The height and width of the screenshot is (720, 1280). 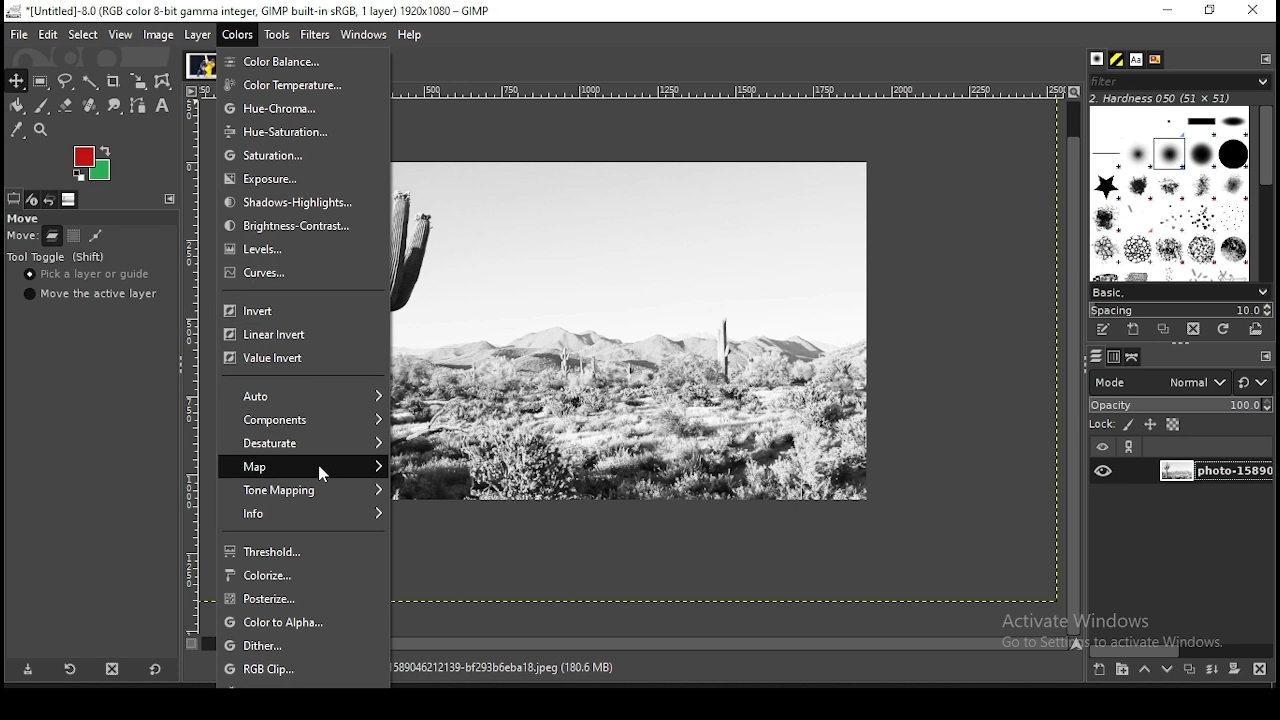 What do you see at coordinates (412, 36) in the screenshot?
I see `help` at bounding box center [412, 36].